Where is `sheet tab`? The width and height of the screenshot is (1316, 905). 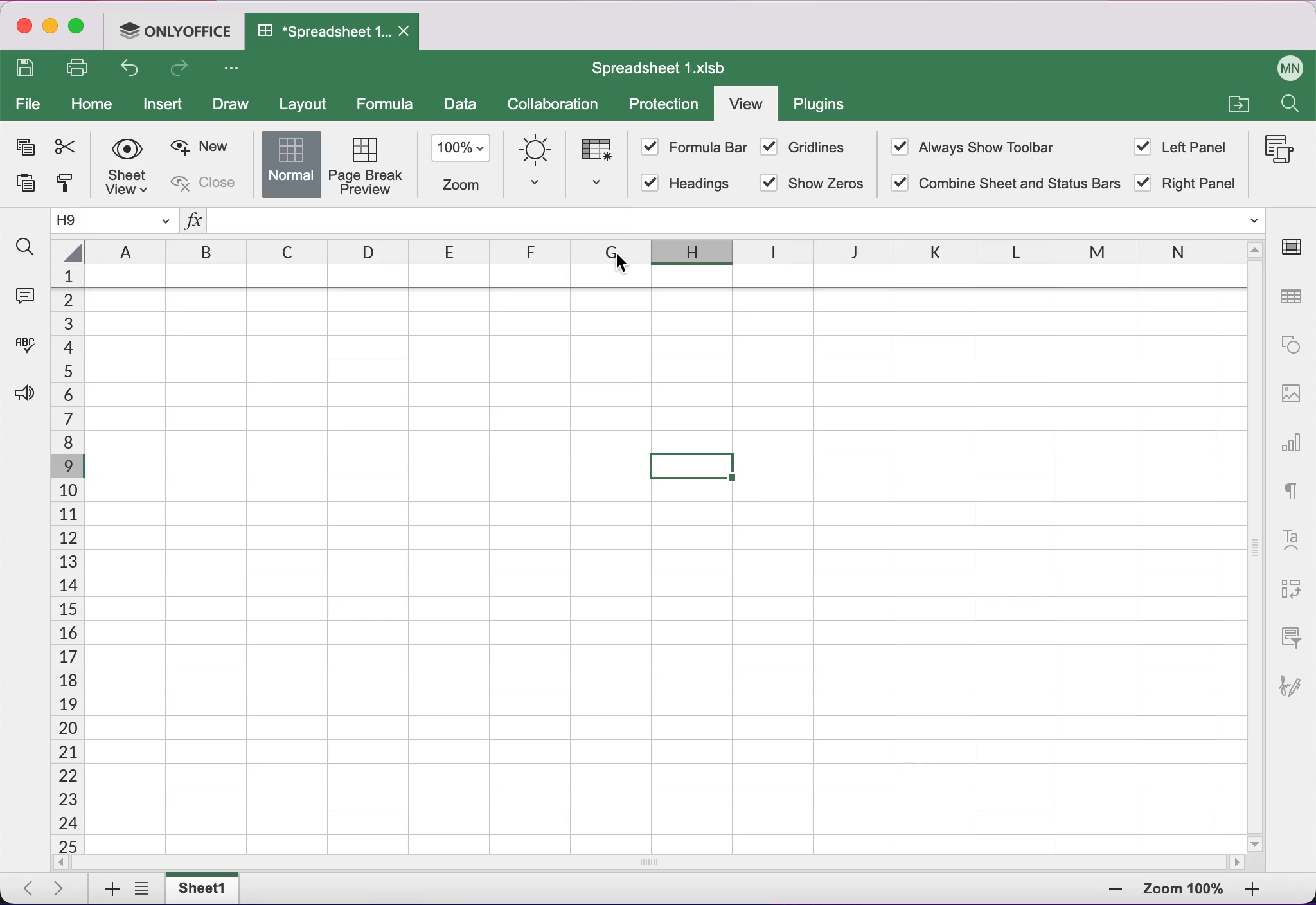
sheet tab is located at coordinates (208, 888).